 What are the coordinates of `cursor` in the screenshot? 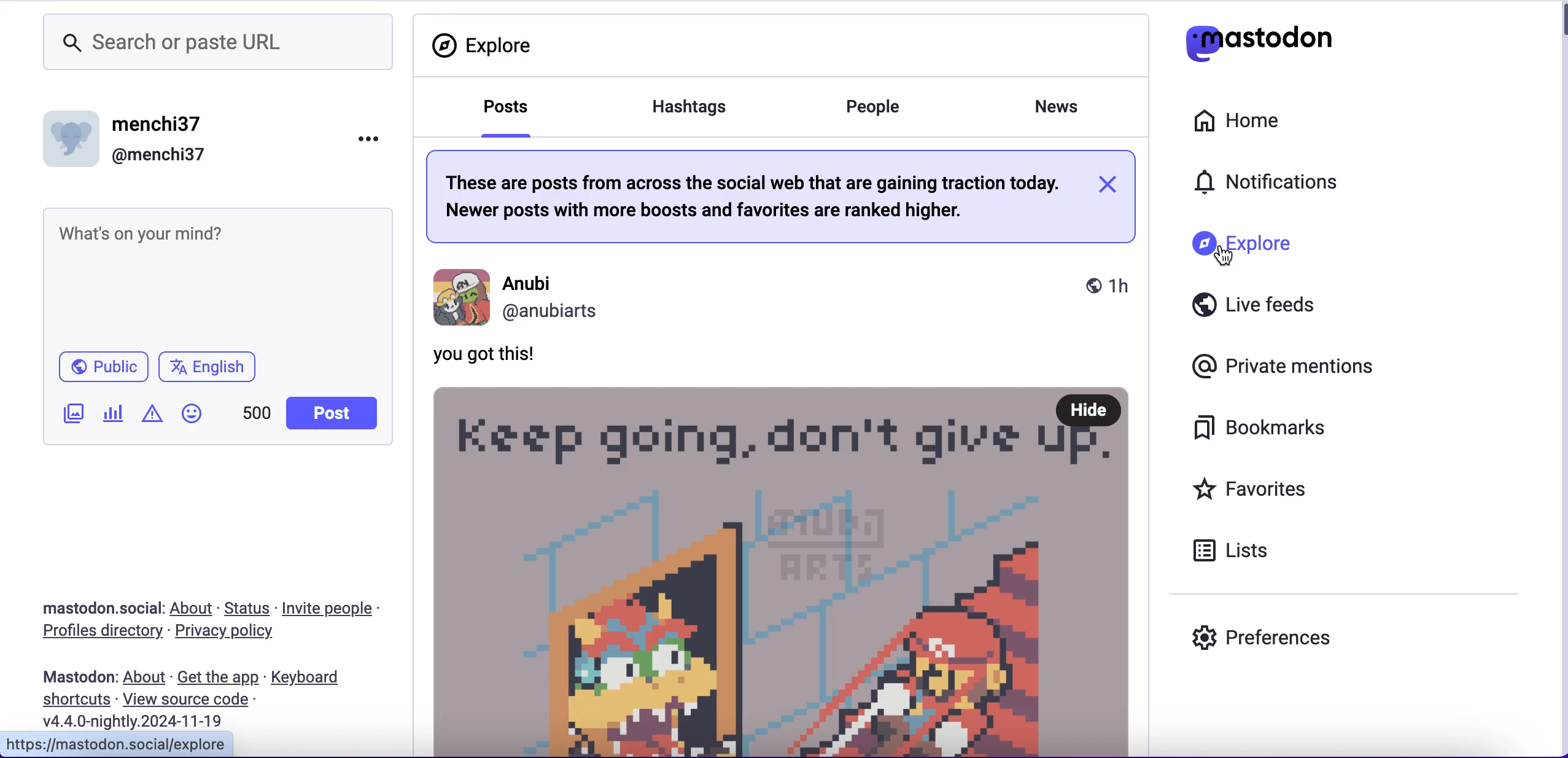 It's located at (1224, 258).